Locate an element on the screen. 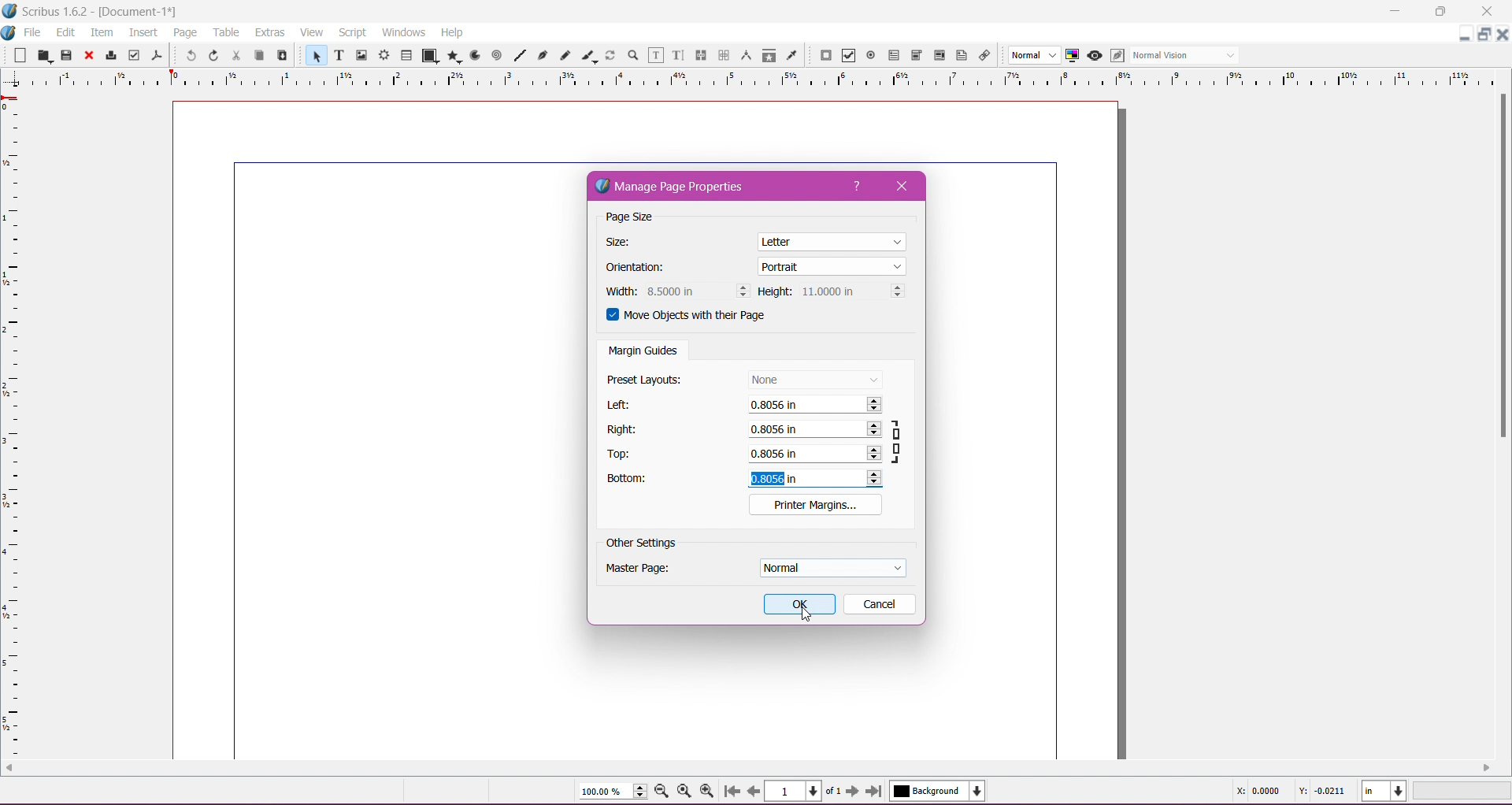  Select the visual appearance of the display is located at coordinates (1188, 56).